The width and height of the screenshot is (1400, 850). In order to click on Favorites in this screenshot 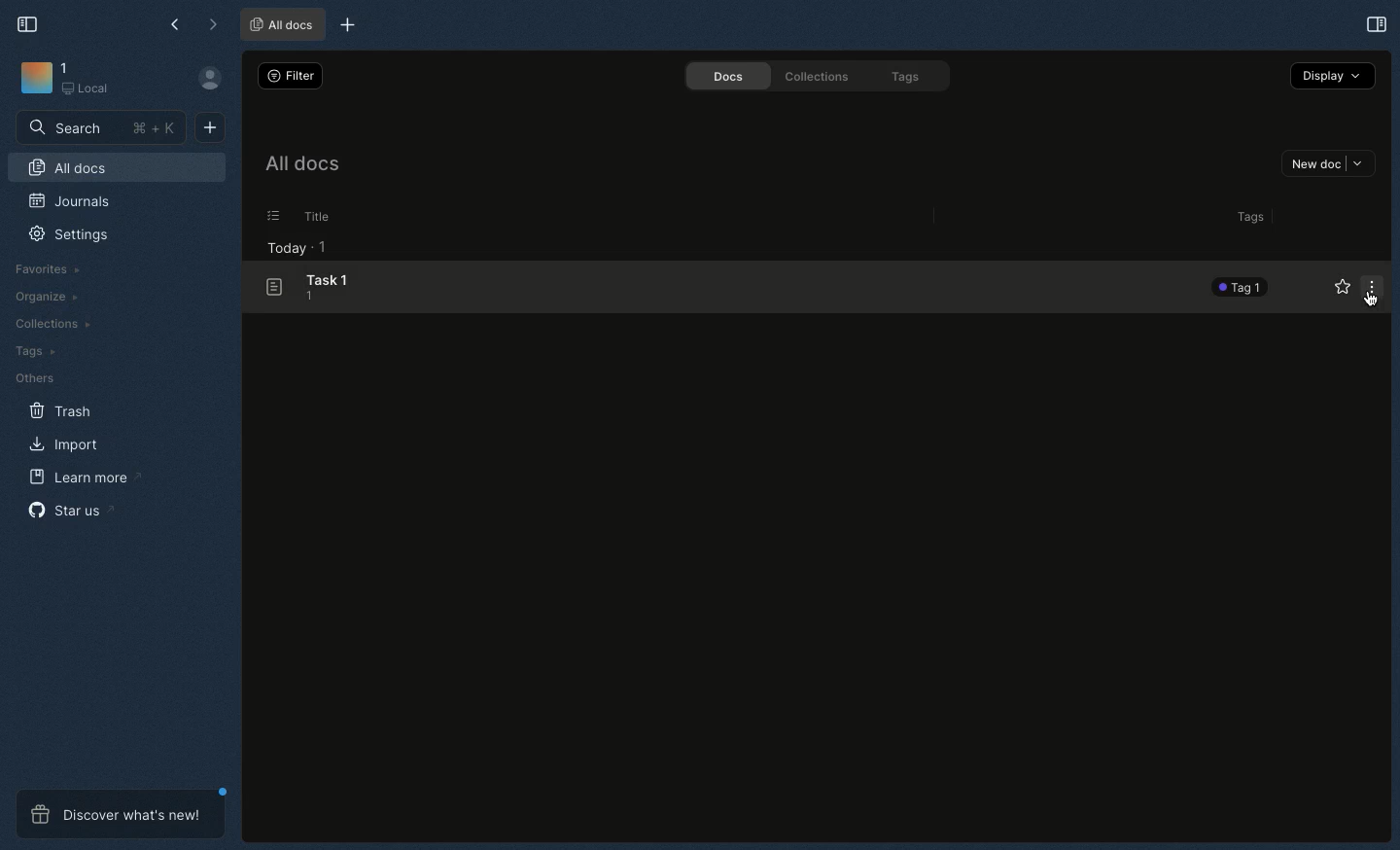, I will do `click(1340, 287)`.